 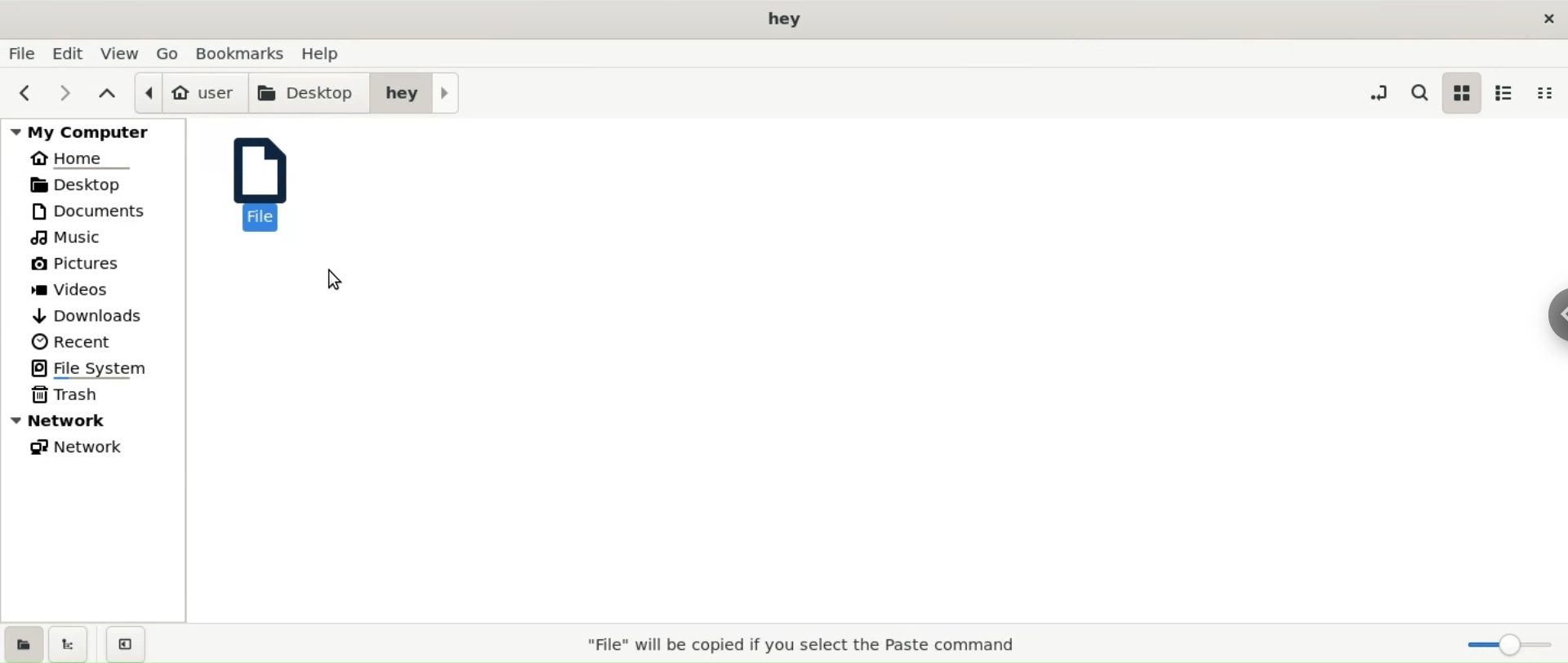 What do you see at coordinates (67, 644) in the screenshot?
I see `show treeview` at bounding box center [67, 644].